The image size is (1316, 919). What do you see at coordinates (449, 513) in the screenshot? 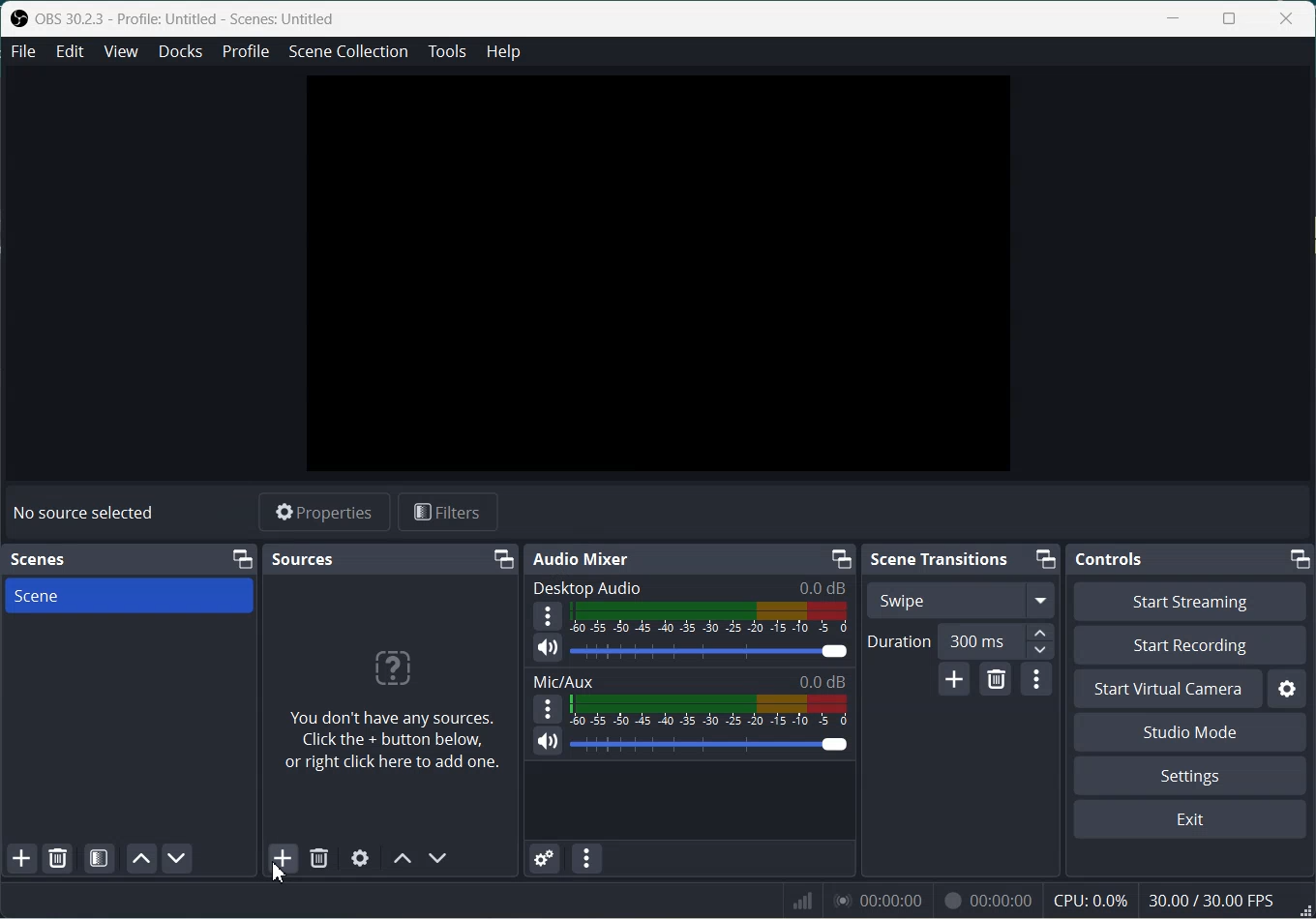
I see `Filter` at bounding box center [449, 513].